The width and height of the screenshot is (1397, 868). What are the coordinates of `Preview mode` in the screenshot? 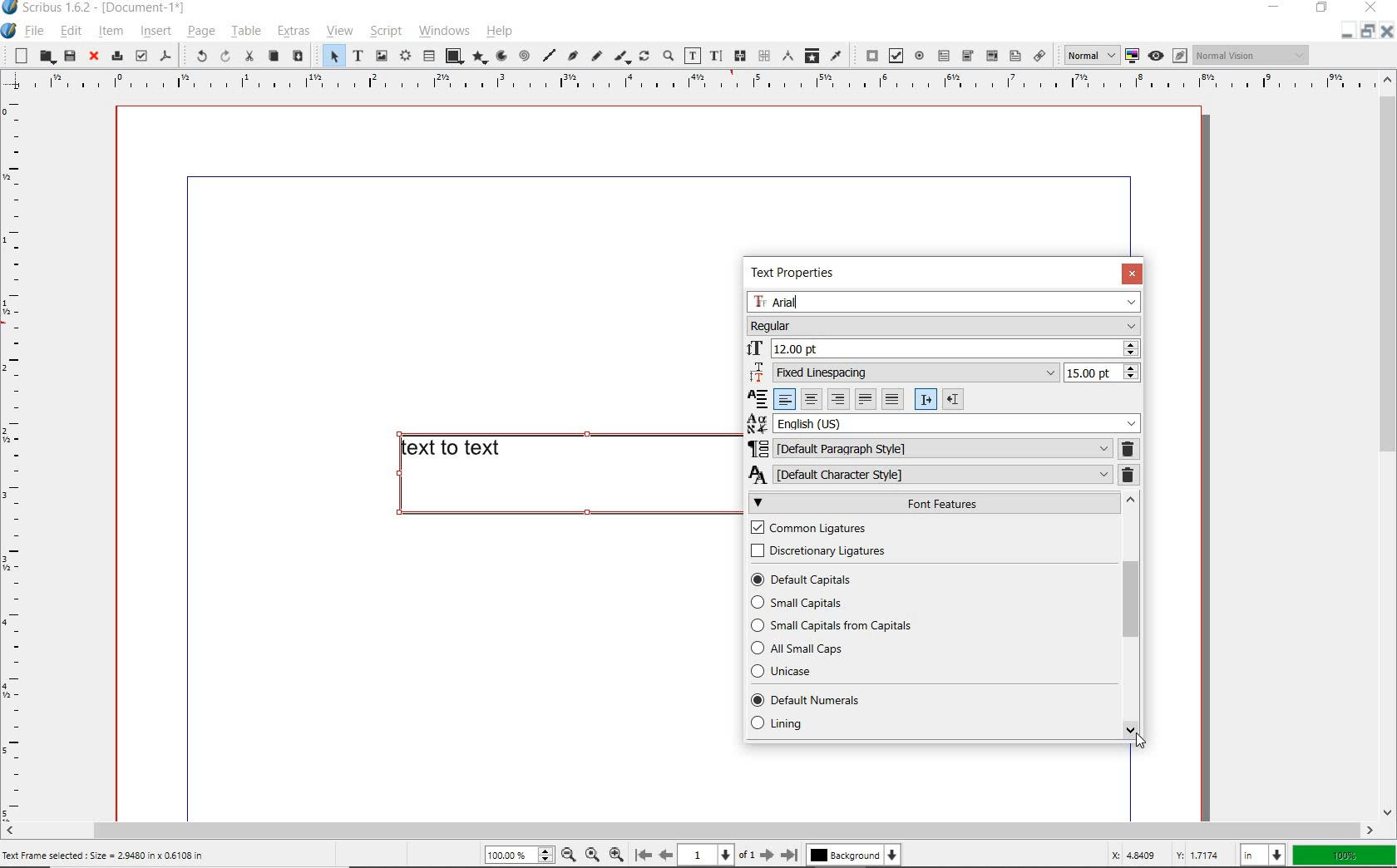 It's located at (1155, 55).